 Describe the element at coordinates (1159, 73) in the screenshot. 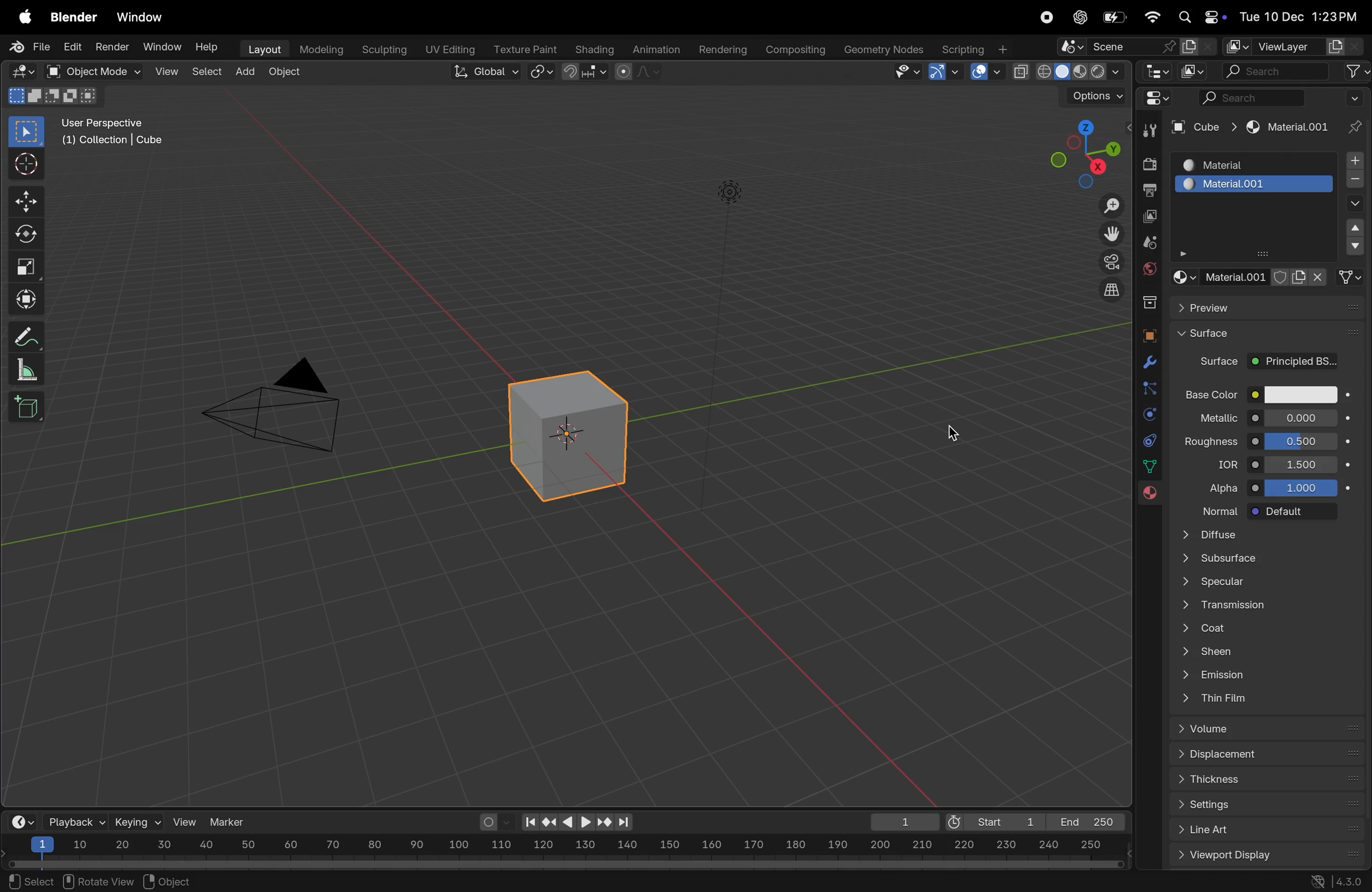

I see `editor type` at that location.